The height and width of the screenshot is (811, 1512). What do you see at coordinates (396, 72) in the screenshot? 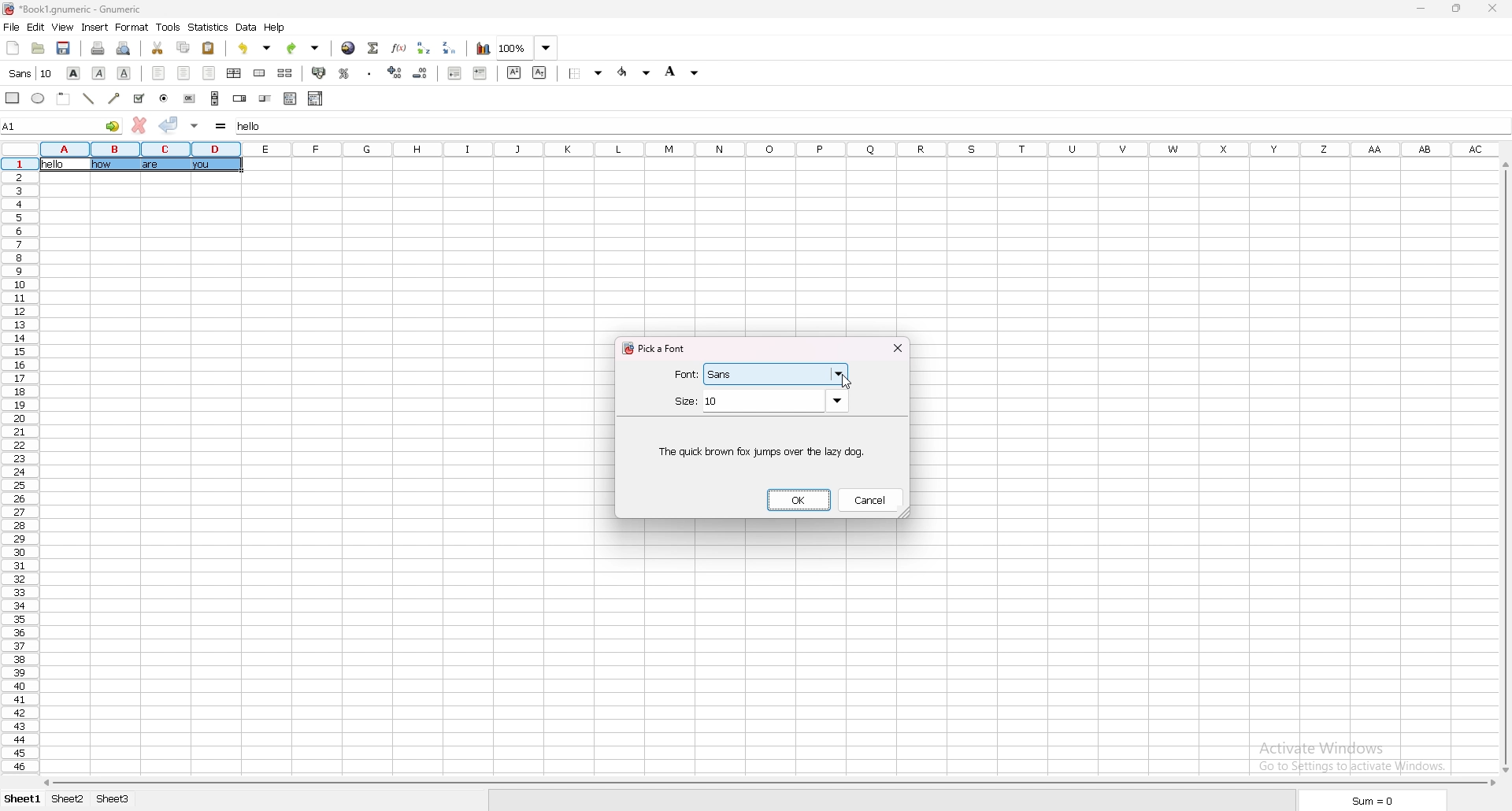
I see `increase decimal` at bounding box center [396, 72].